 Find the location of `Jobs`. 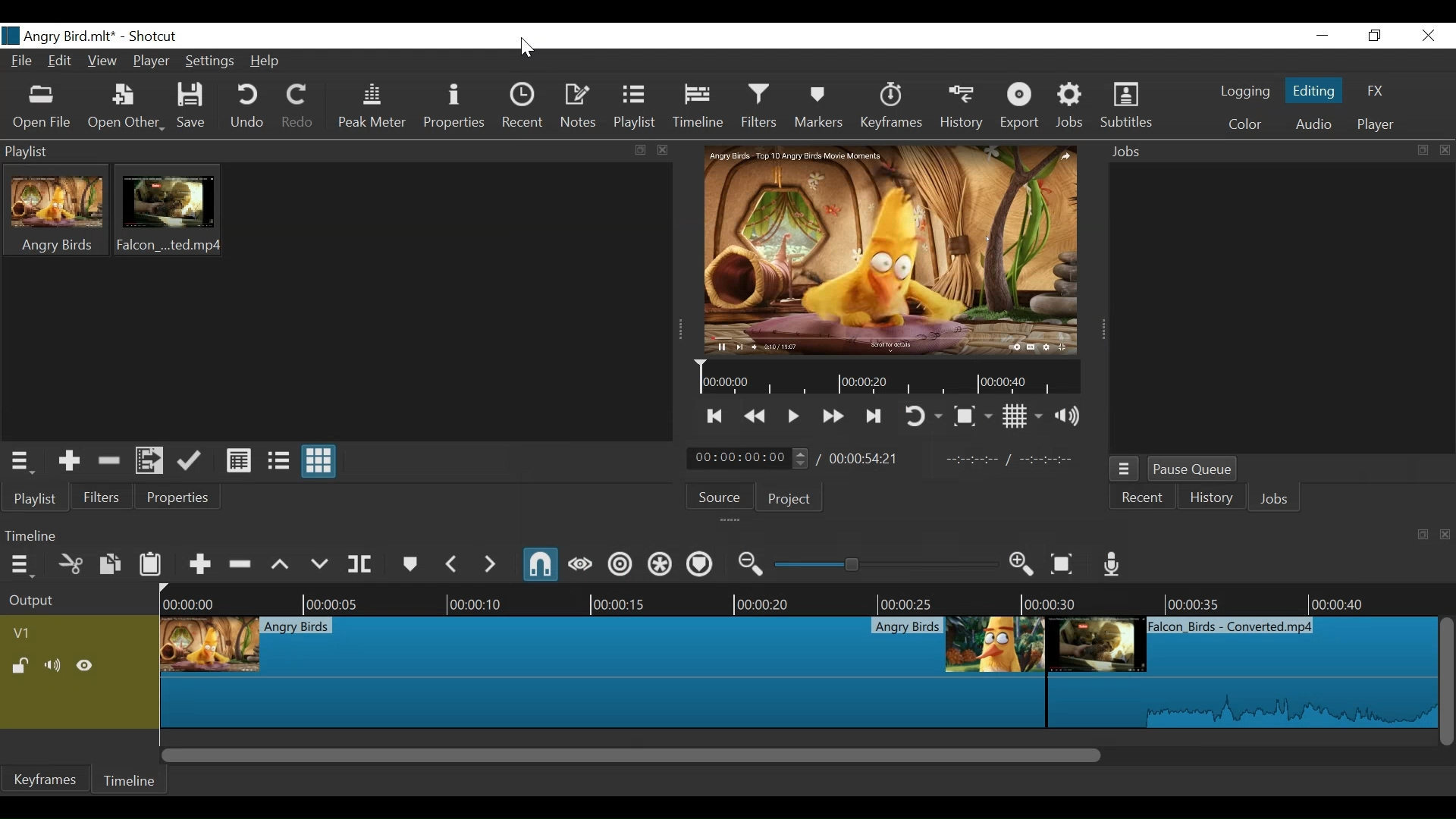

Jobs is located at coordinates (1072, 106).